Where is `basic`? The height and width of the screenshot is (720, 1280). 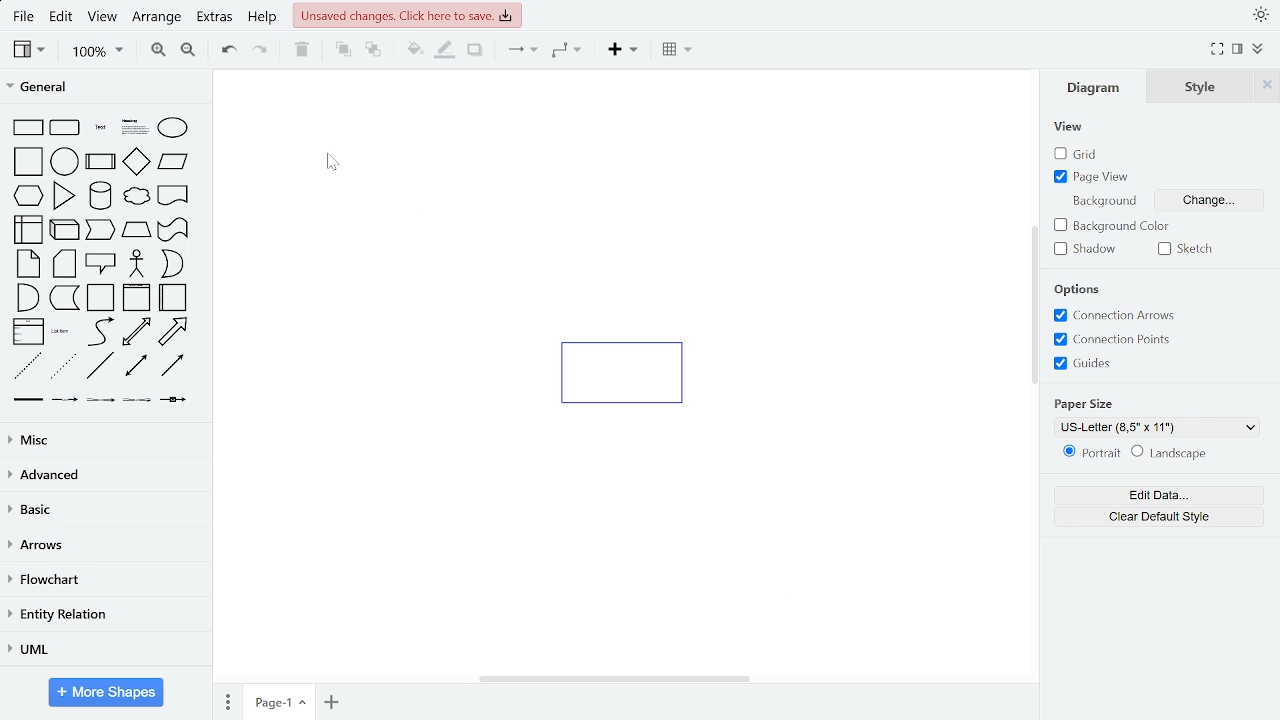 basic is located at coordinates (105, 513).